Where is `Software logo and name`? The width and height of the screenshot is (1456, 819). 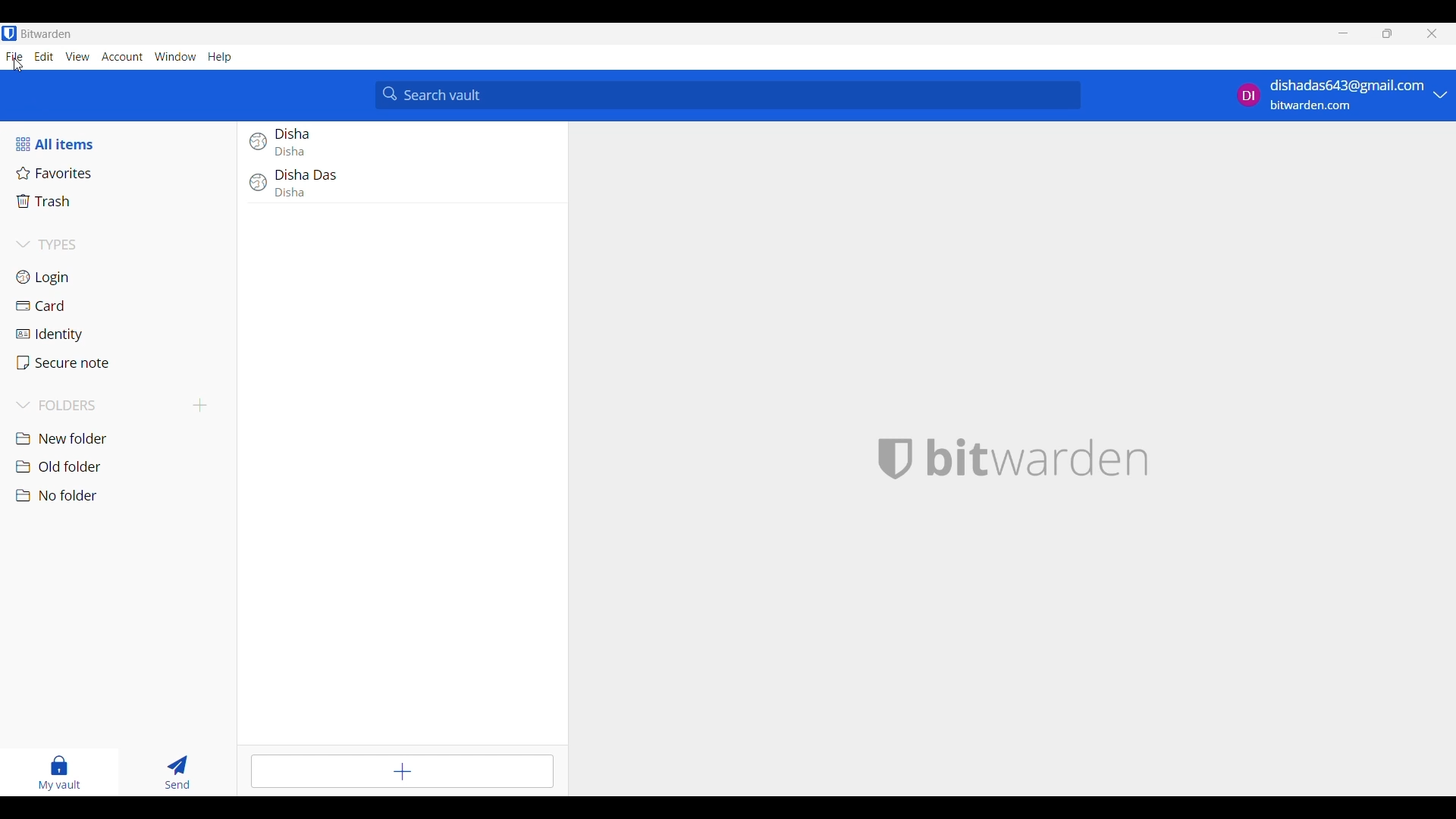
Software logo and name is located at coordinates (1037, 459).